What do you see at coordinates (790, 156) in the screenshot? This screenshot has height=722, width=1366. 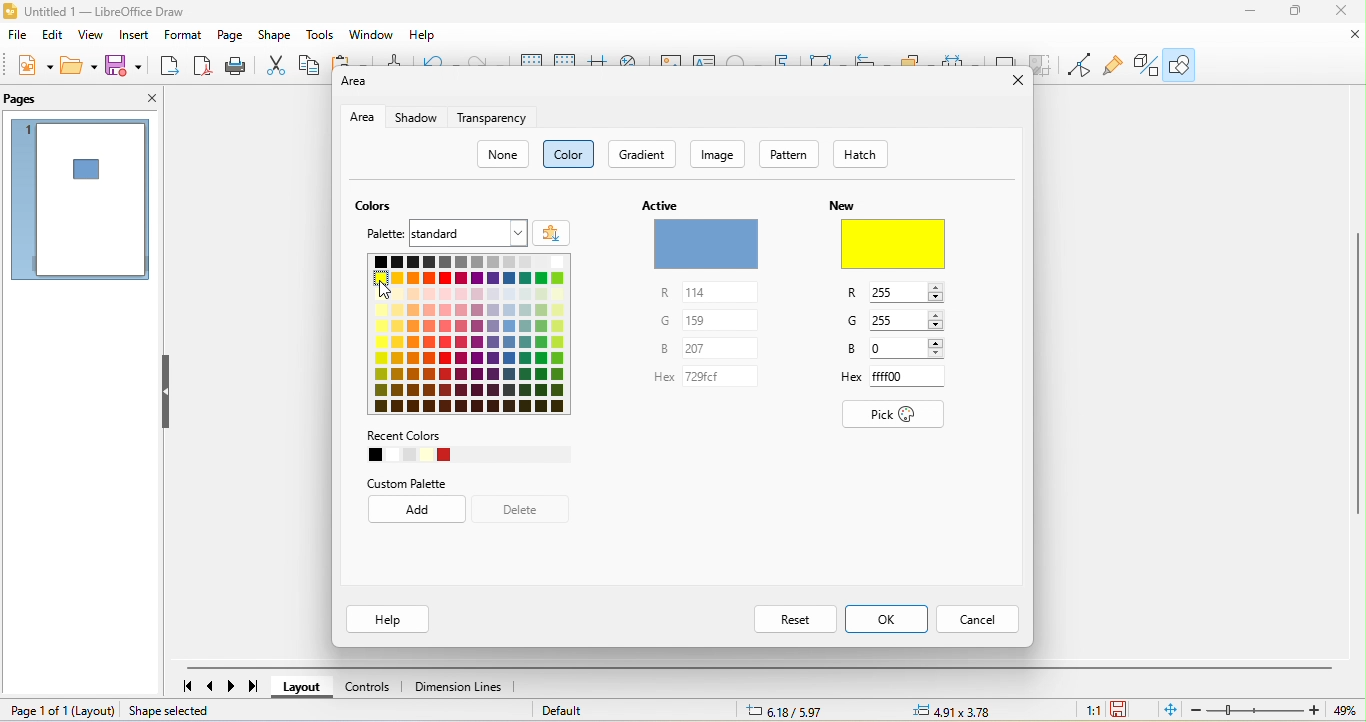 I see `pattern` at bounding box center [790, 156].